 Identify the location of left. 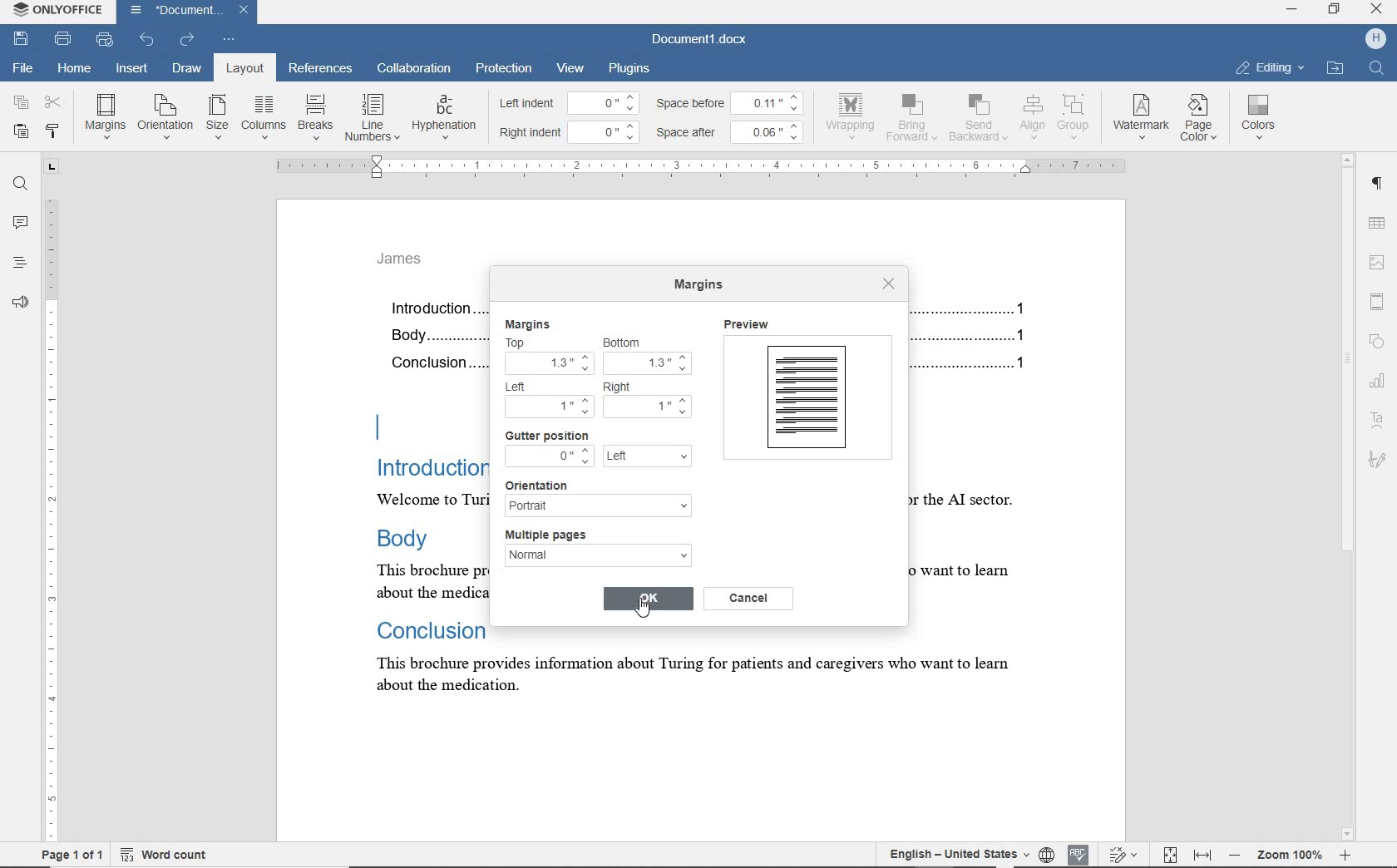
(647, 457).